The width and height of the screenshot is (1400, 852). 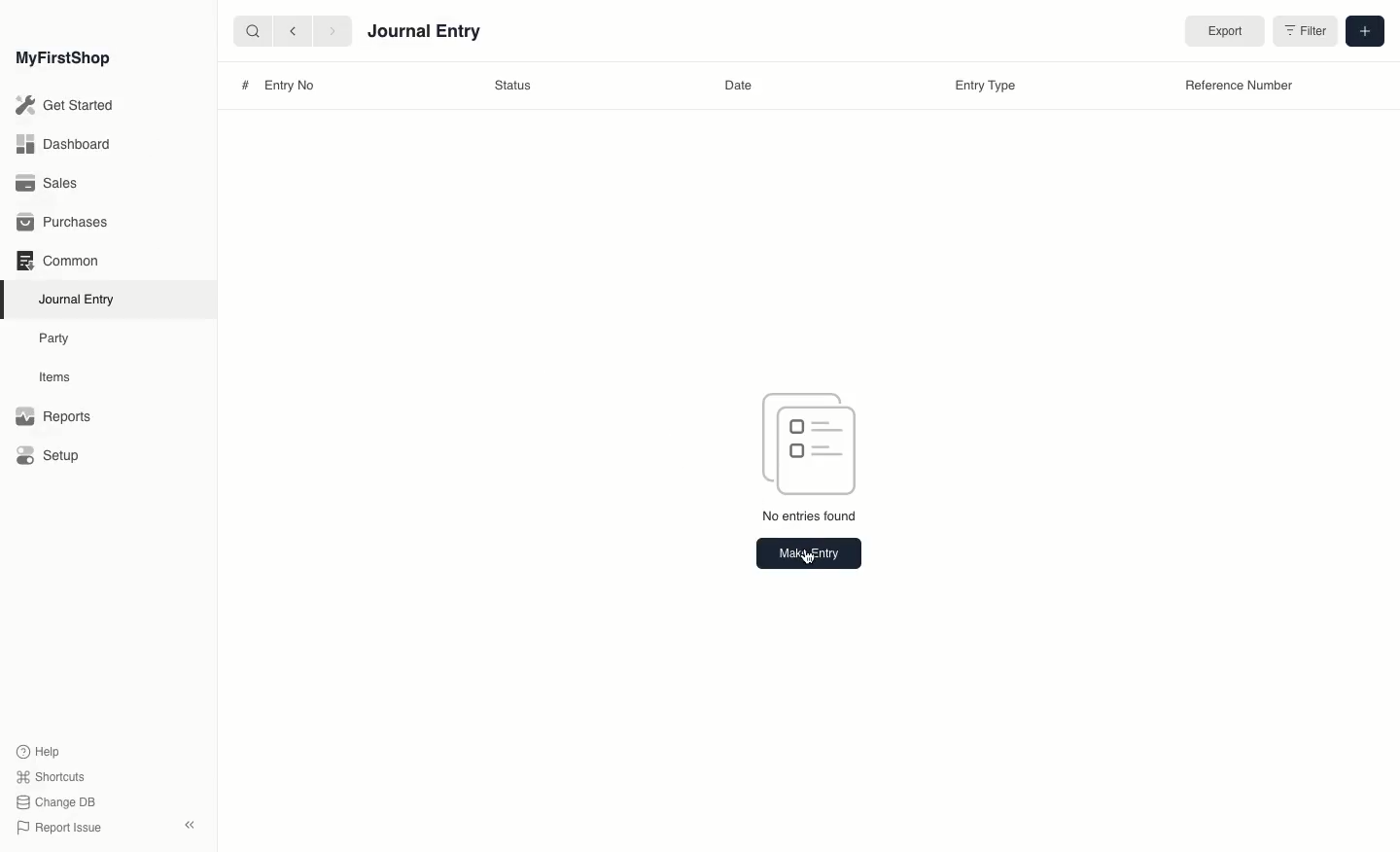 What do you see at coordinates (740, 85) in the screenshot?
I see `Date` at bounding box center [740, 85].